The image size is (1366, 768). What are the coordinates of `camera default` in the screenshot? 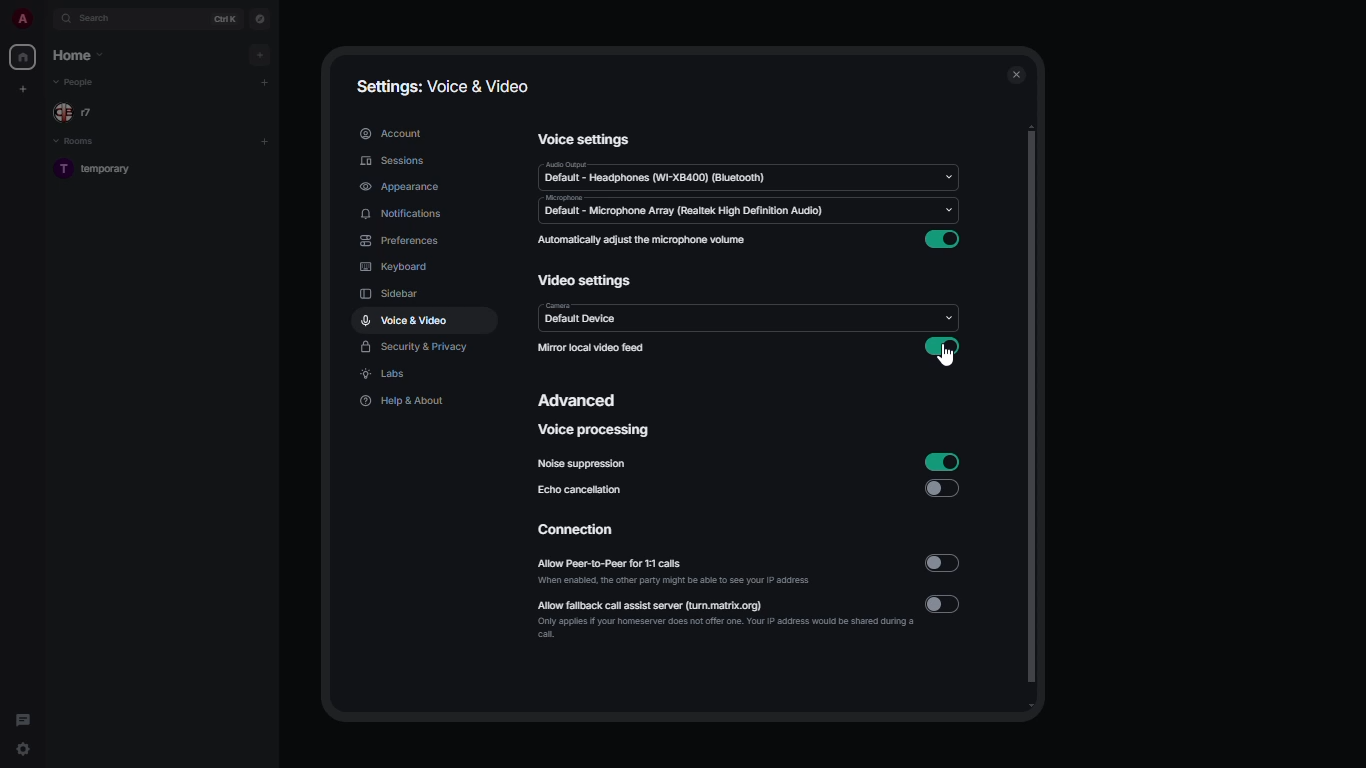 It's located at (581, 314).